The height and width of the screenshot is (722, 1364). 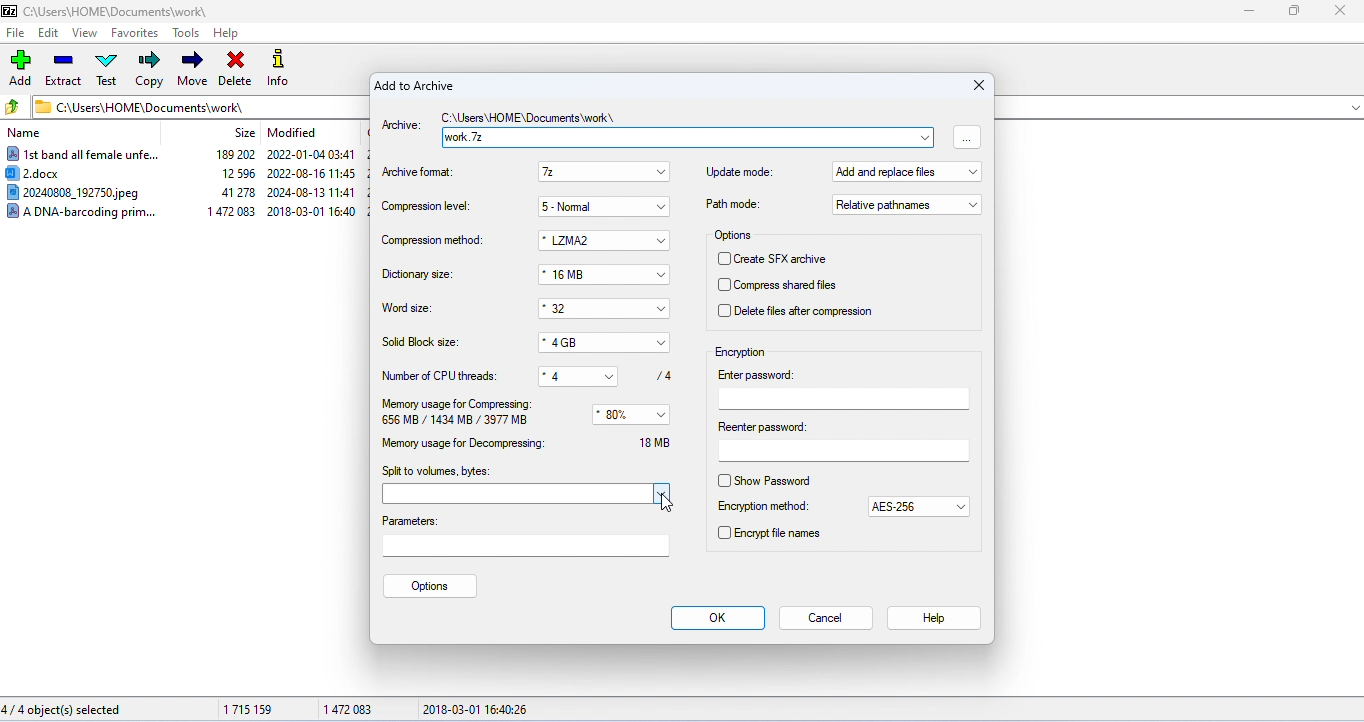 What do you see at coordinates (1292, 12) in the screenshot?
I see `maximize` at bounding box center [1292, 12].